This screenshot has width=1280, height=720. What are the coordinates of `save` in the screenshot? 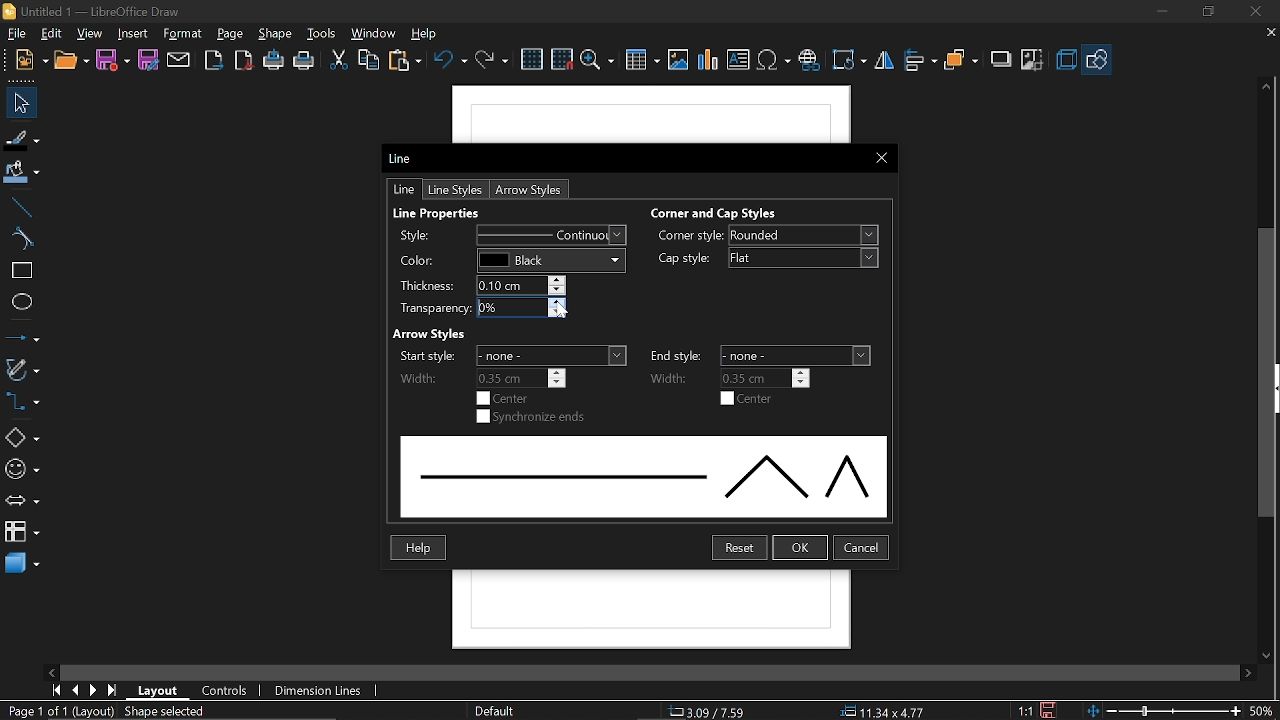 It's located at (1054, 710).